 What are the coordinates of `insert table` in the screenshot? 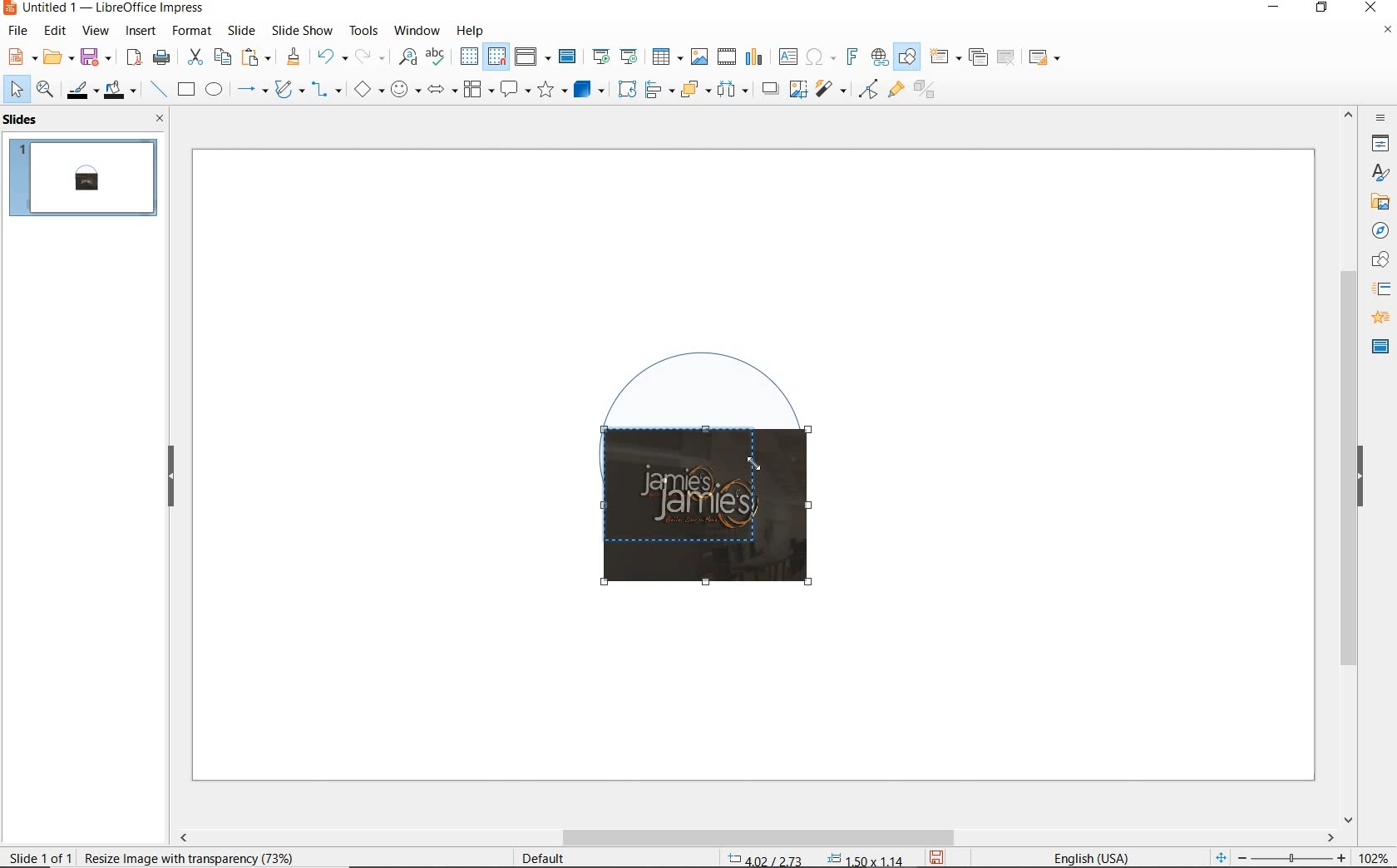 It's located at (665, 57).